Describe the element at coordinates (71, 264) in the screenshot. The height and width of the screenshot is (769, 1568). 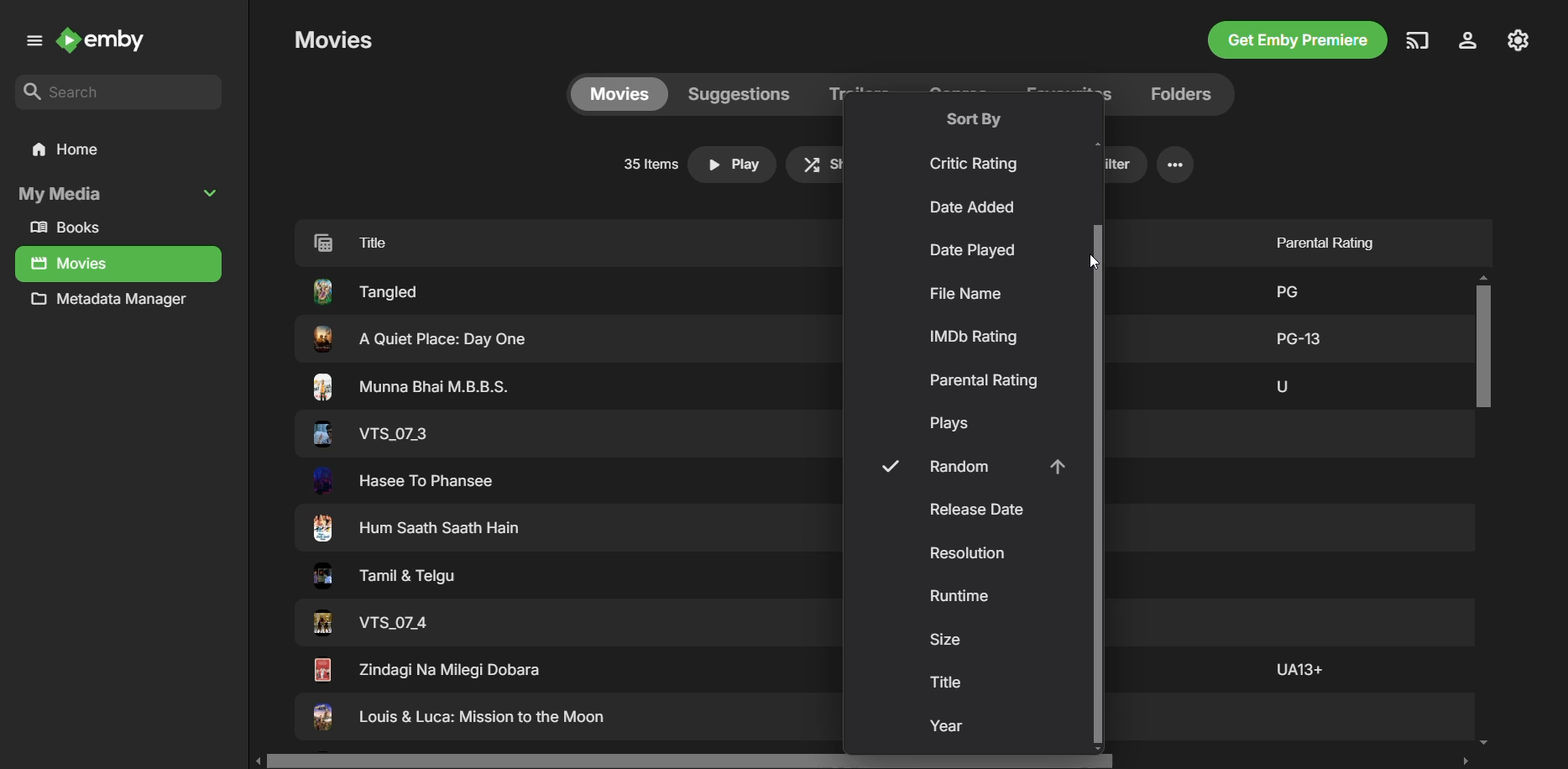
I see `Movies` at that location.